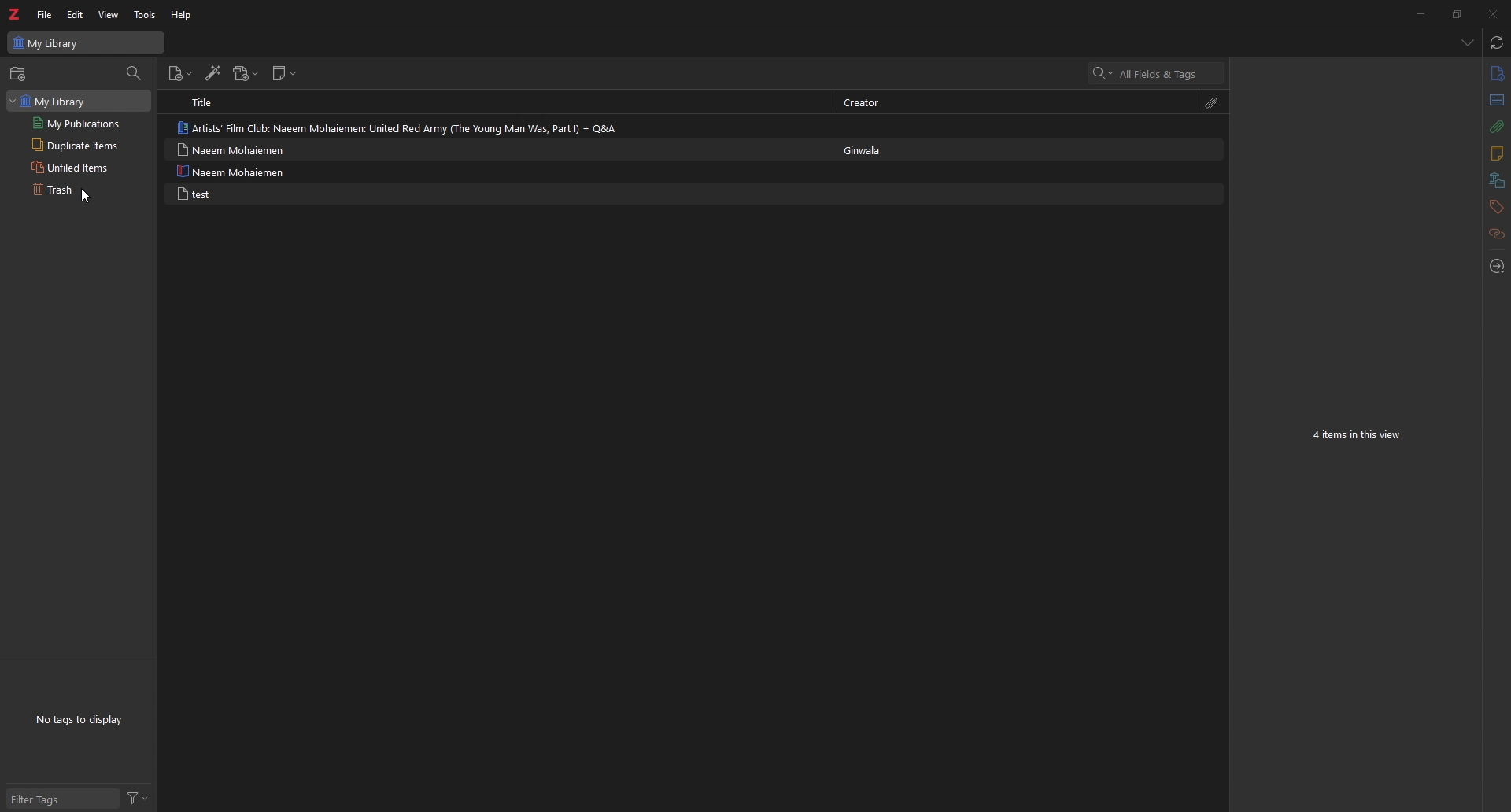 The image size is (1511, 812). Describe the element at coordinates (1495, 127) in the screenshot. I see `attachments` at that location.